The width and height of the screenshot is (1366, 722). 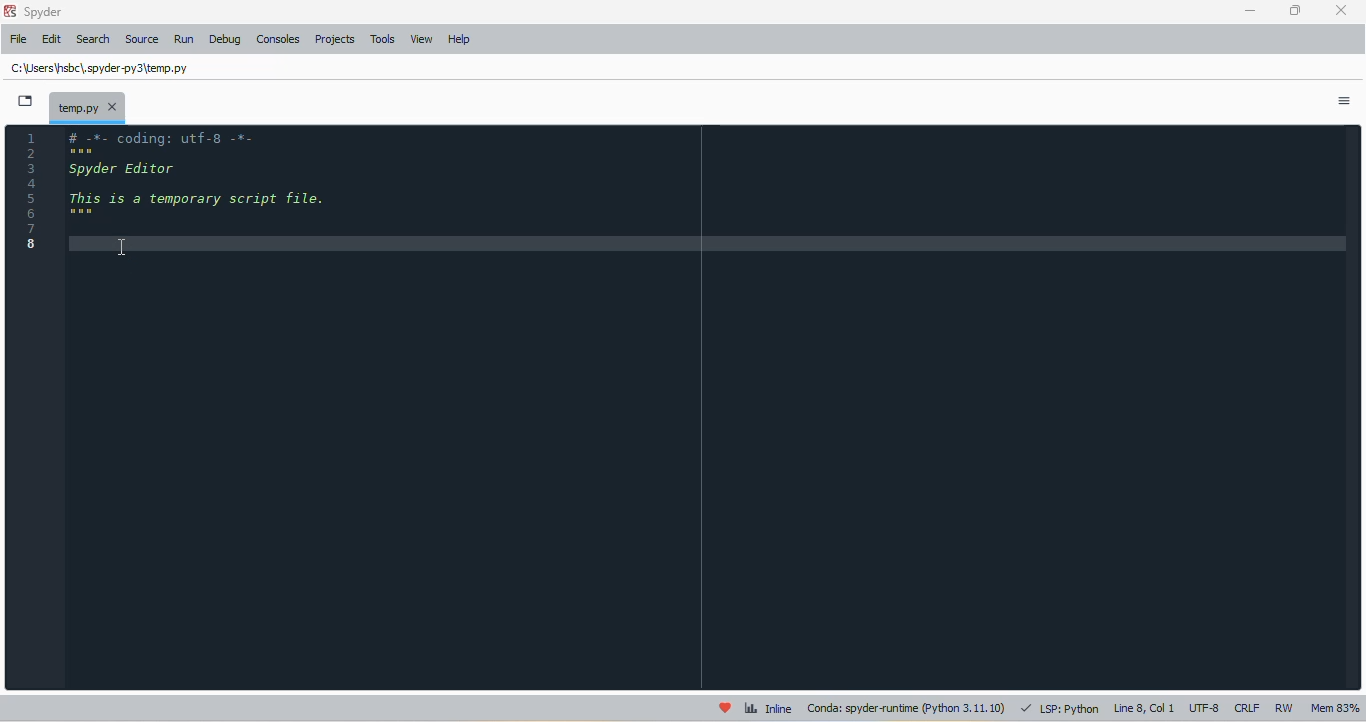 What do you see at coordinates (184, 39) in the screenshot?
I see `run` at bounding box center [184, 39].